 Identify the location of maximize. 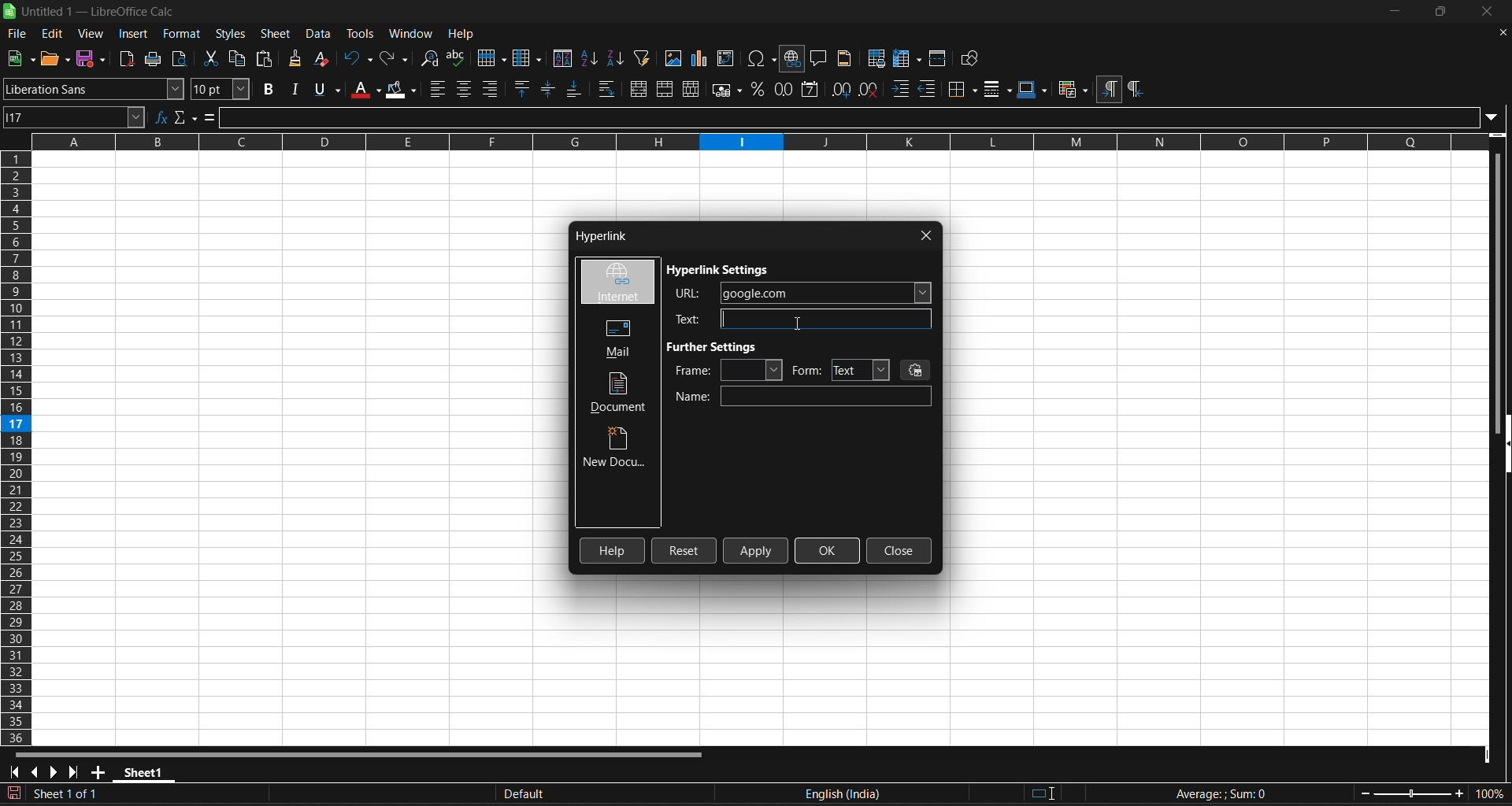
(1439, 12).